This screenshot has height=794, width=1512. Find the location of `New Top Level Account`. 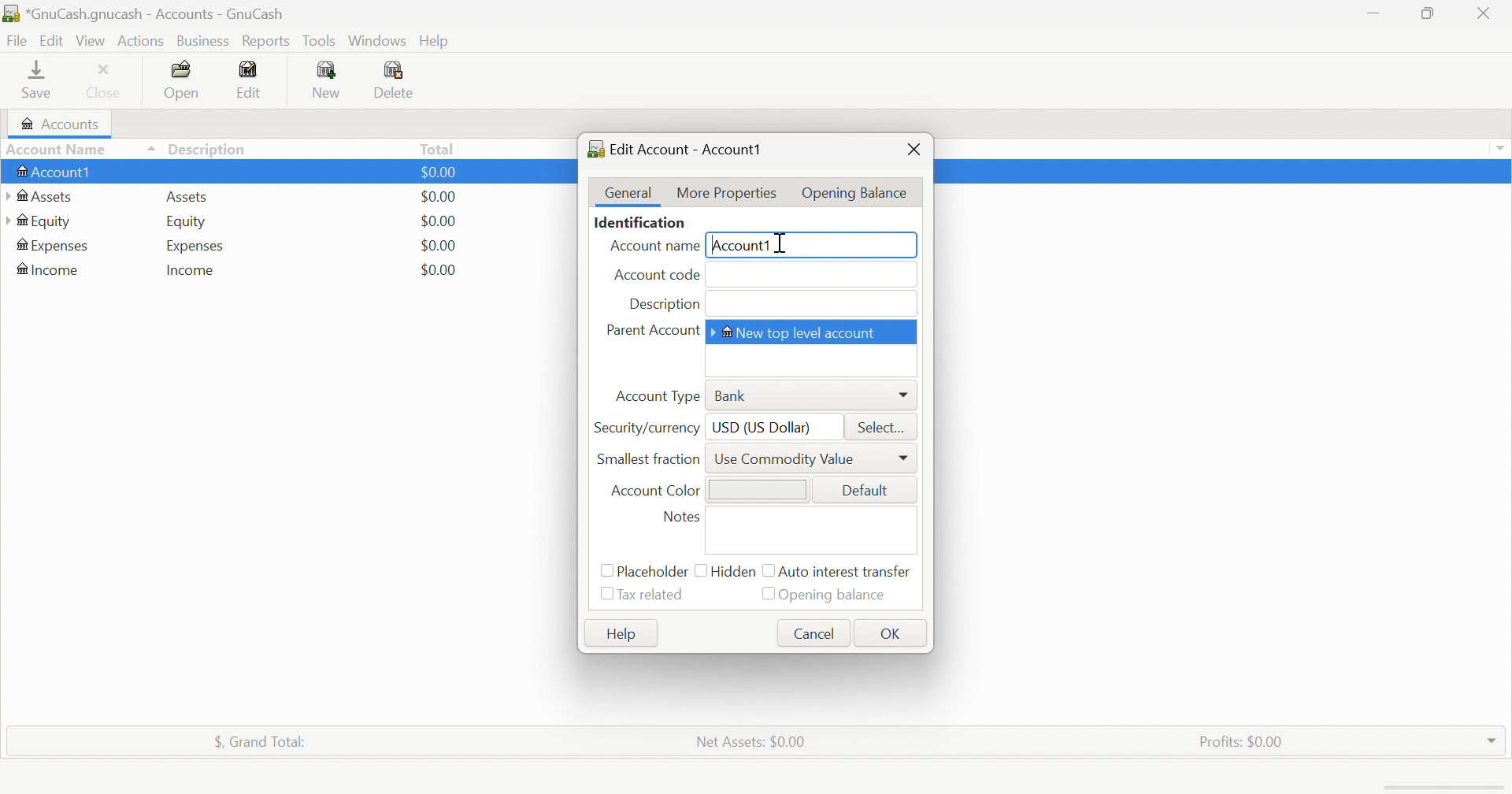

New Top Level Account is located at coordinates (801, 332).